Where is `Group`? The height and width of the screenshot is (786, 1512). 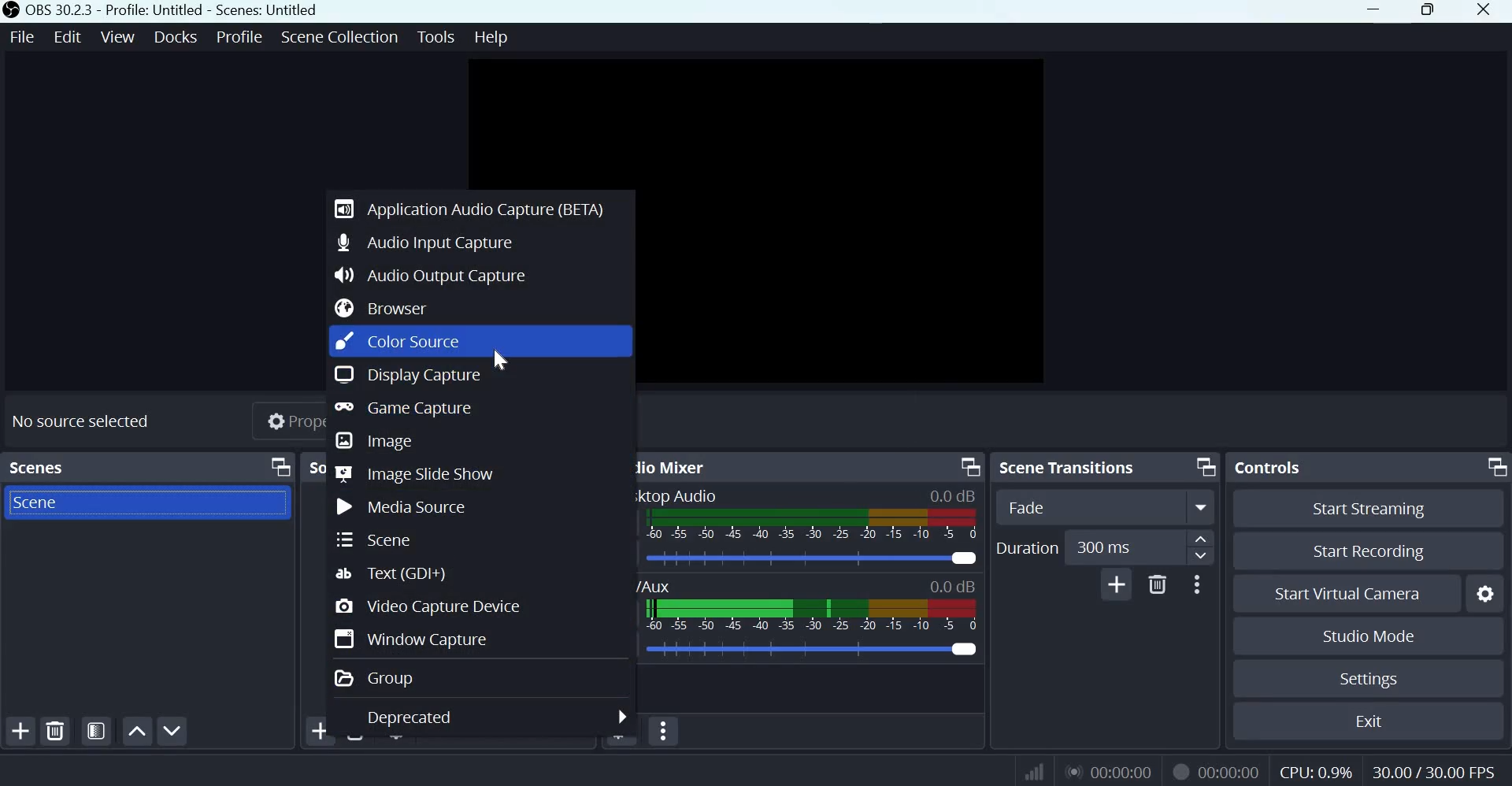
Group is located at coordinates (377, 679).